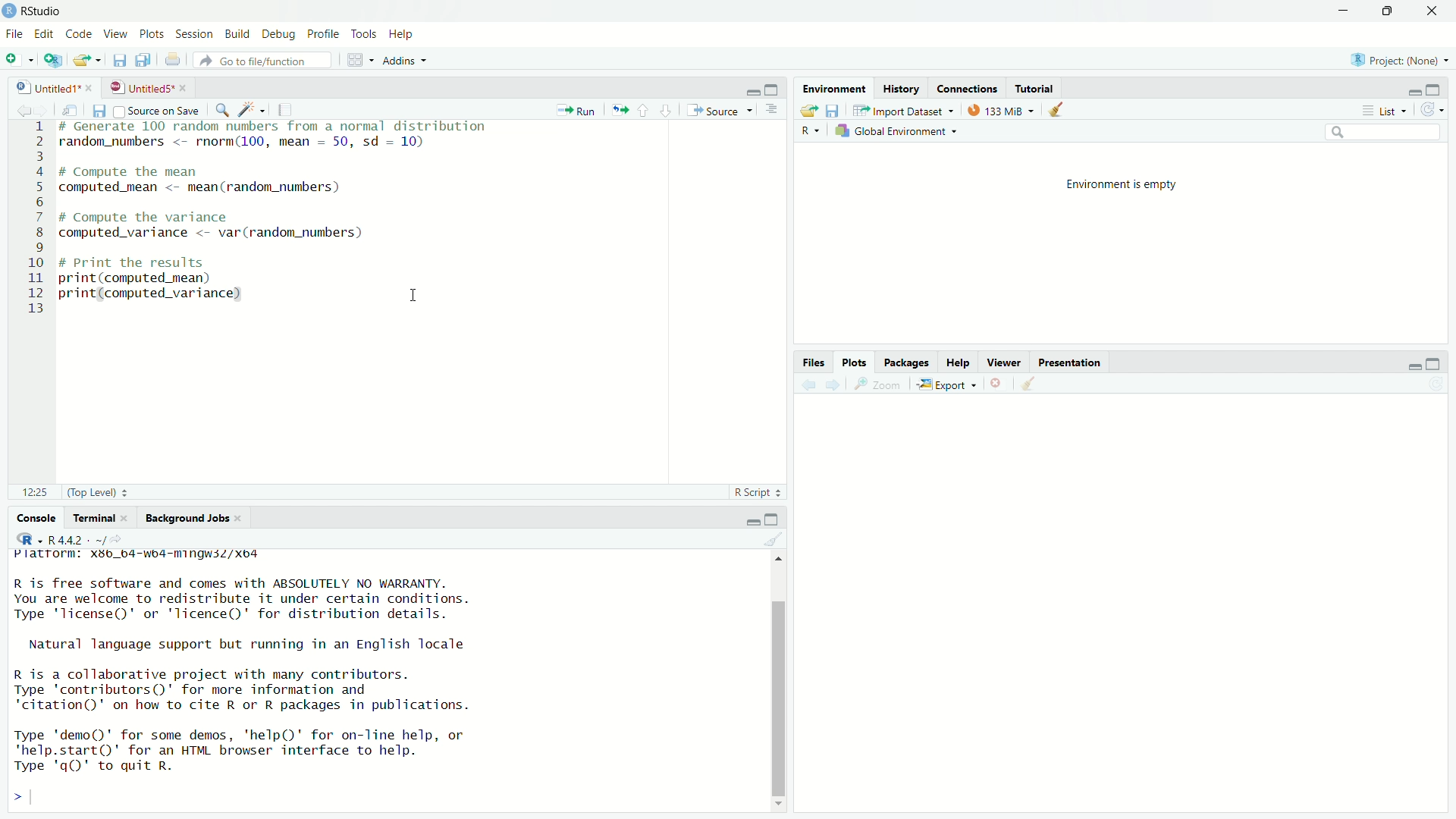  What do you see at coordinates (1436, 11) in the screenshot?
I see `close` at bounding box center [1436, 11].